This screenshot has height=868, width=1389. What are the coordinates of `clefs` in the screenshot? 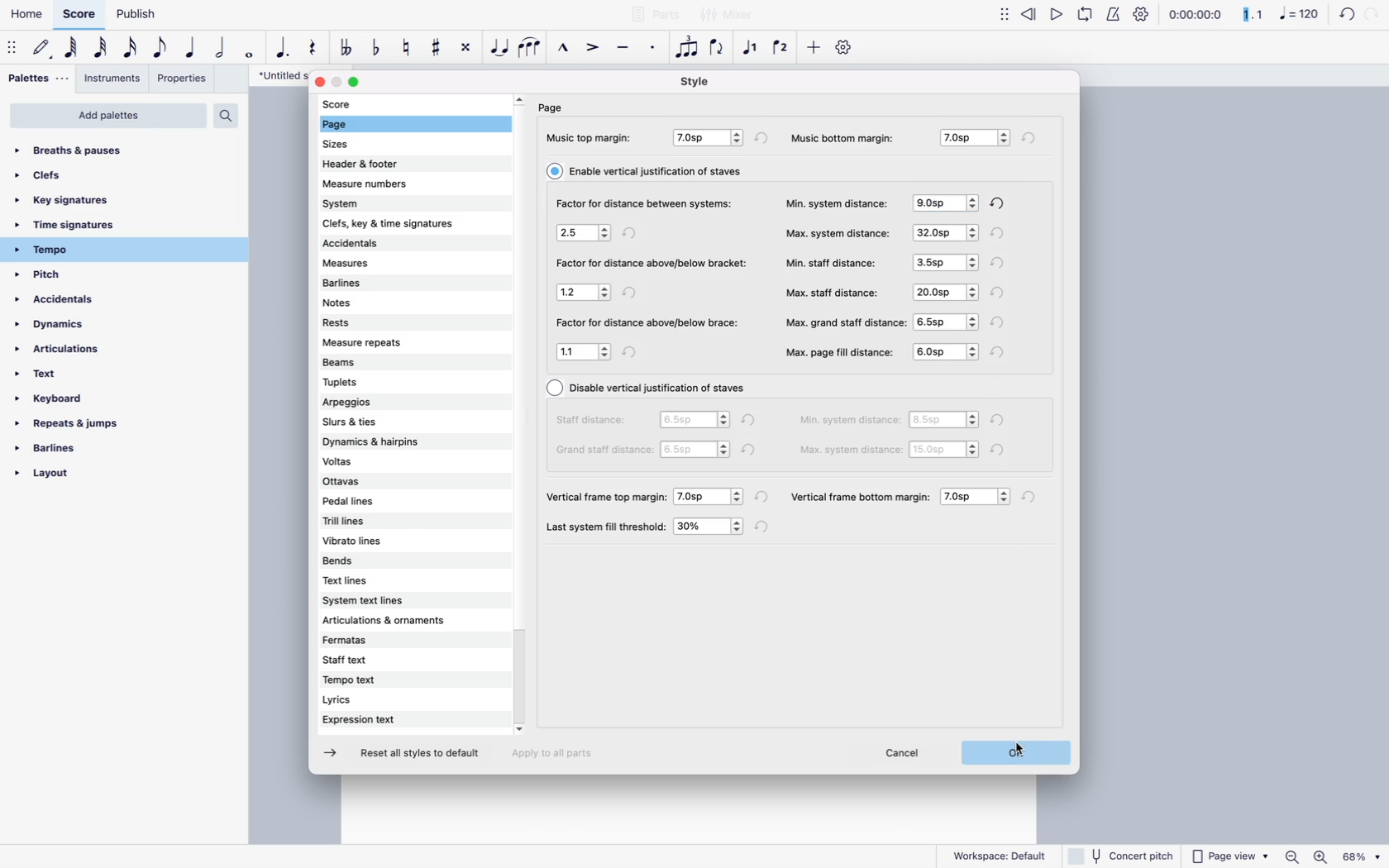 It's located at (67, 175).